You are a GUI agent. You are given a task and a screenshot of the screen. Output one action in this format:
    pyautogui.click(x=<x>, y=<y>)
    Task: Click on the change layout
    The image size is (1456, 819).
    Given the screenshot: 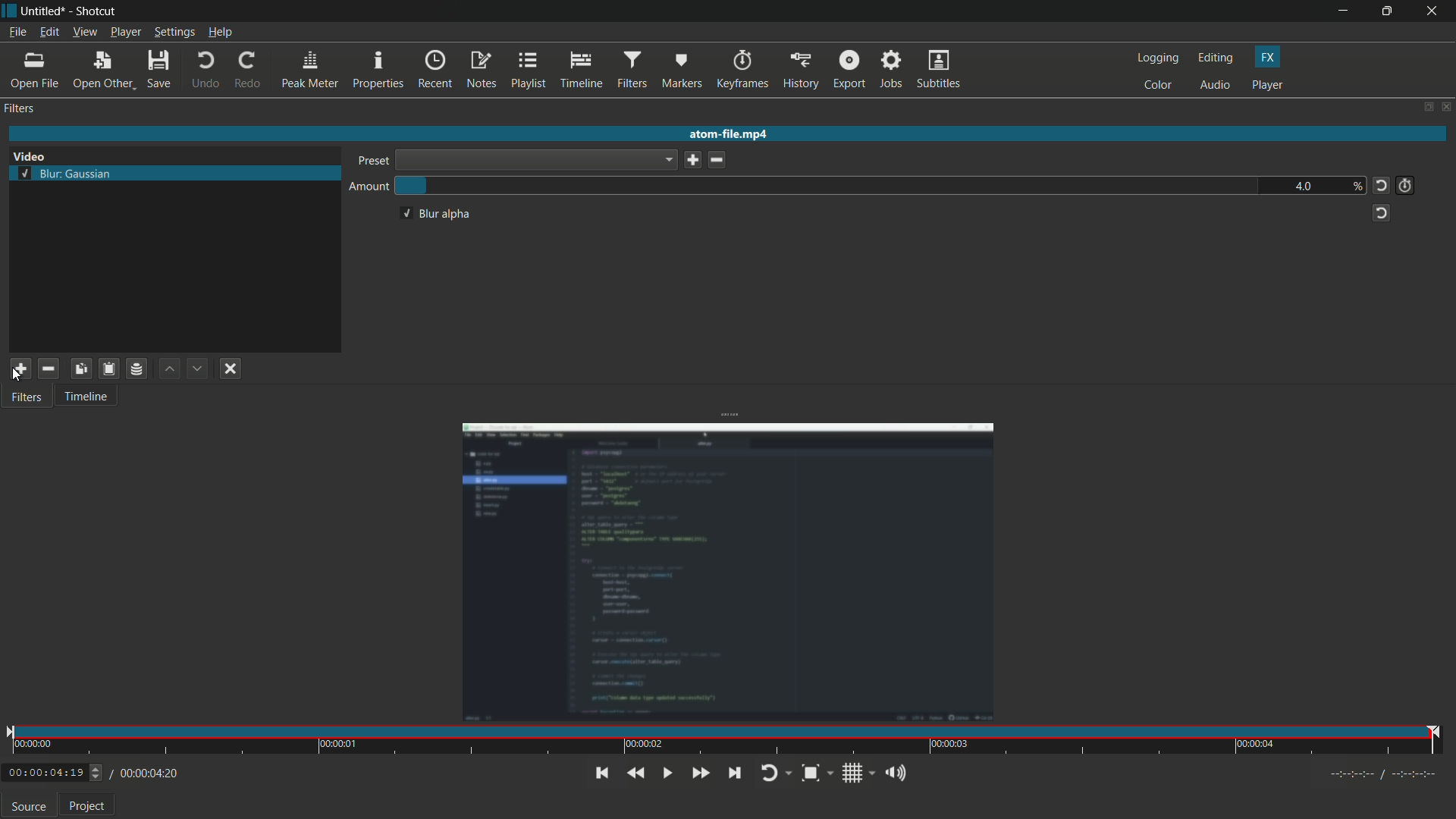 What is the action you would take?
    pyautogui.click(x=1423, y=106)
    